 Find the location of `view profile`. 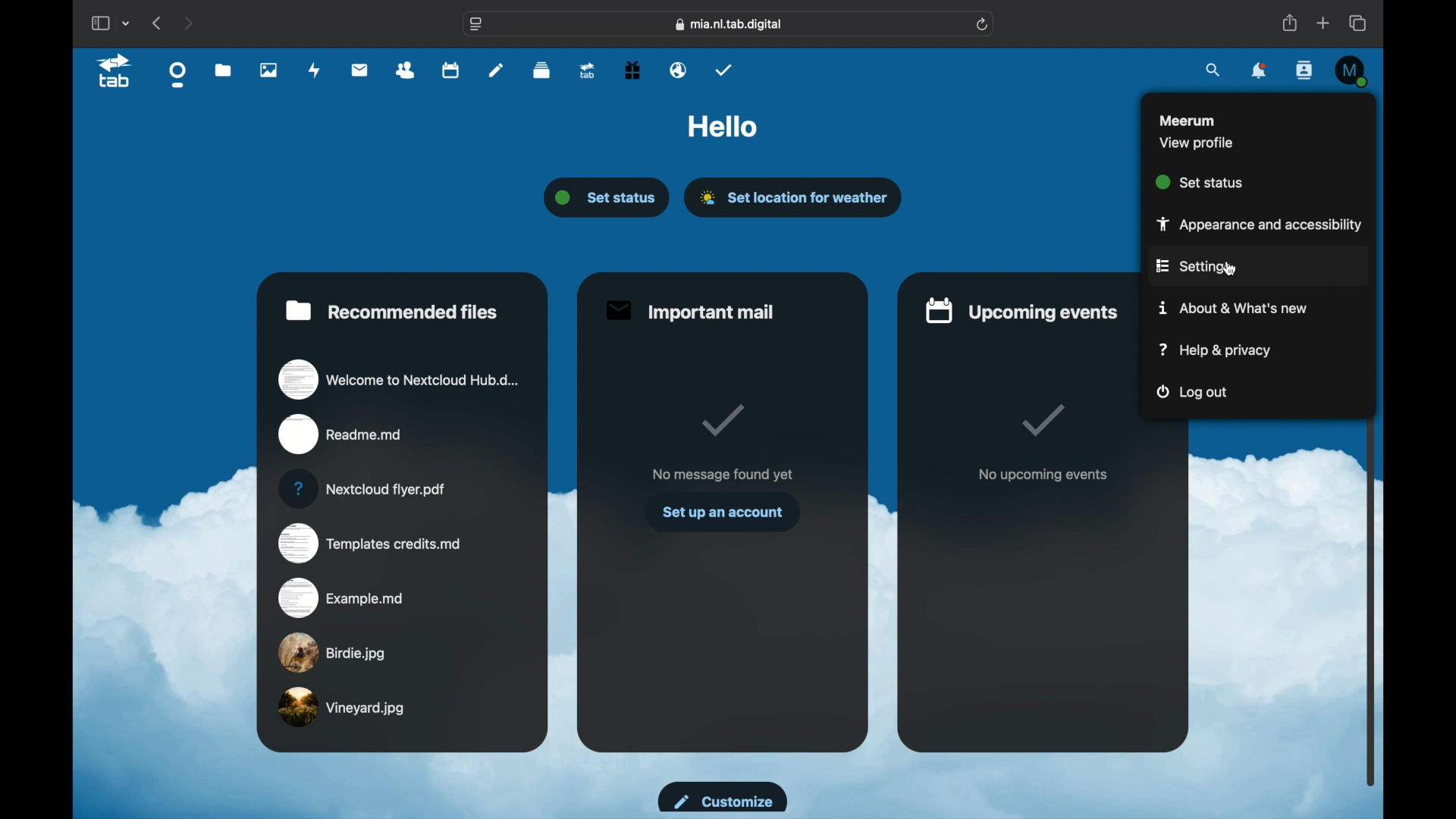

view profile is located at coordinates (1197, 143).